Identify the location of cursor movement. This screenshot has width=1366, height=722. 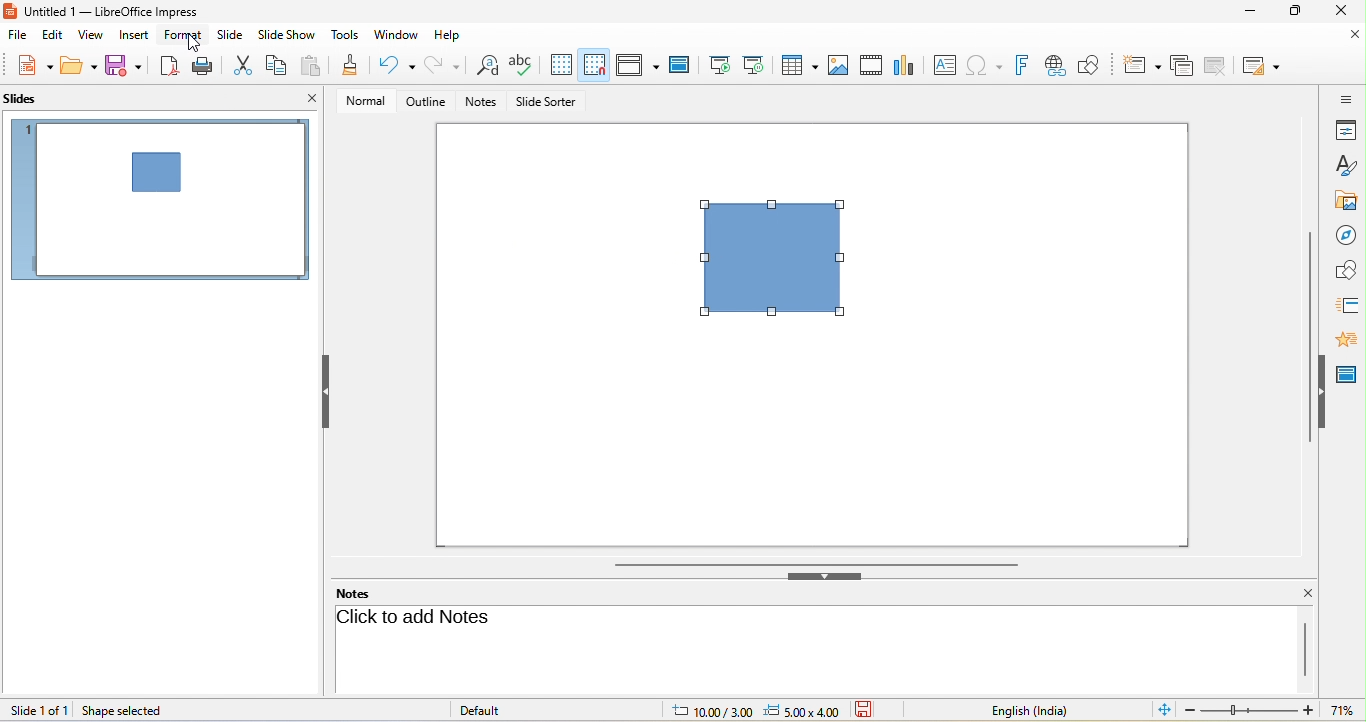
(191, 44).